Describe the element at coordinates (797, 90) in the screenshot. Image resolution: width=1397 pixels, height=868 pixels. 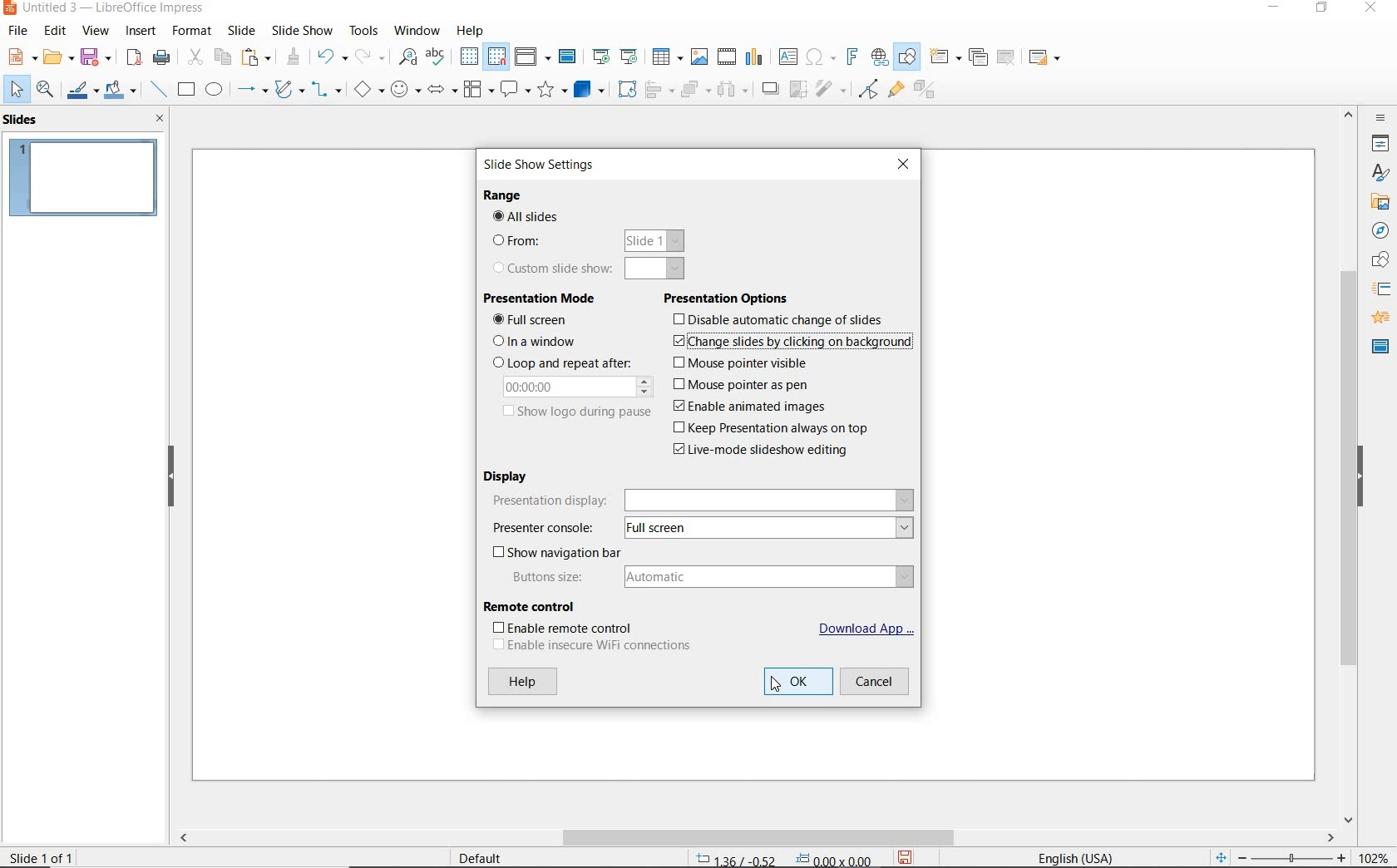
I see `CROP IMAGE` at that location.